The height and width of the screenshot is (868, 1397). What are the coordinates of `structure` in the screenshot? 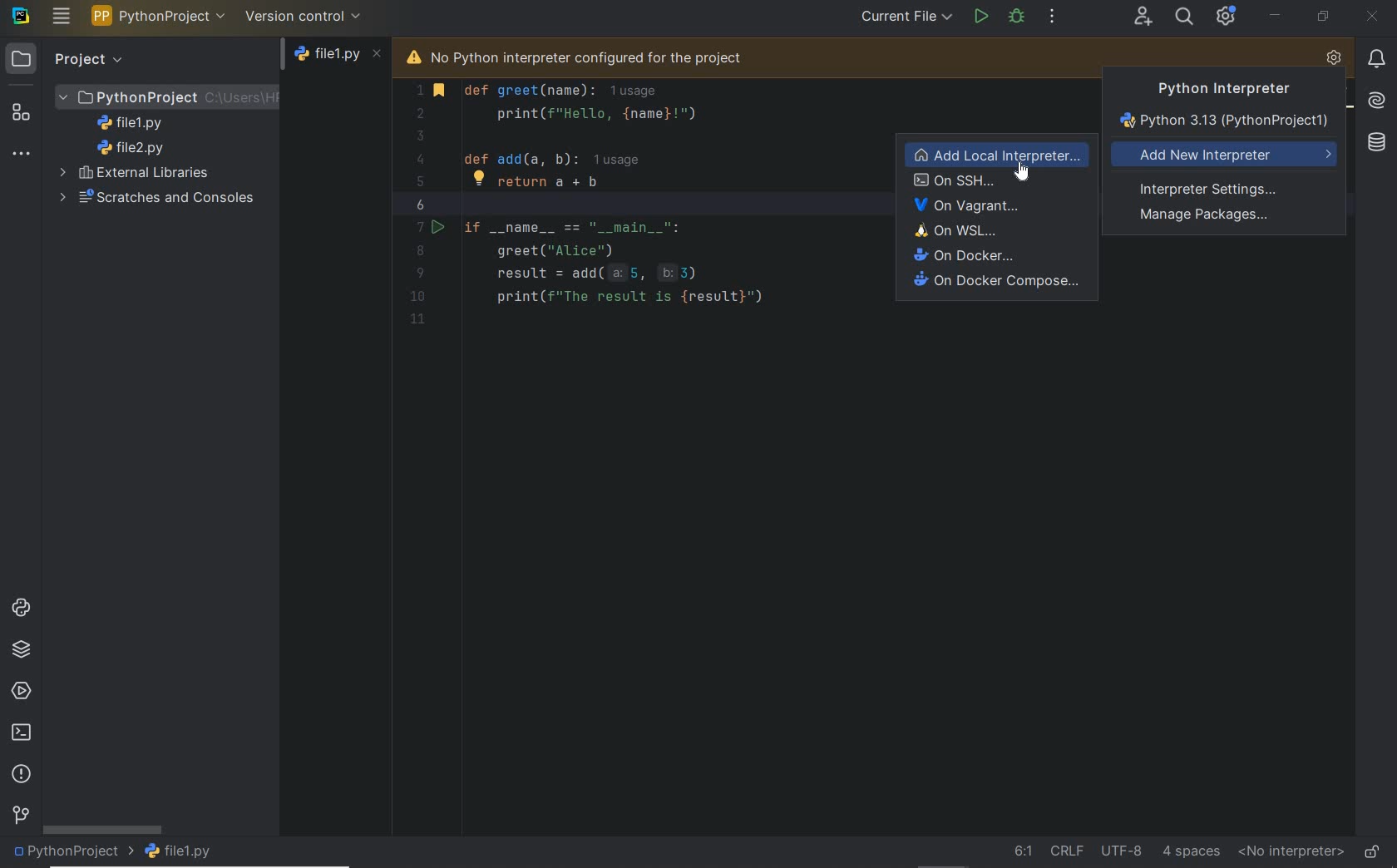 It's located at (22, 112).